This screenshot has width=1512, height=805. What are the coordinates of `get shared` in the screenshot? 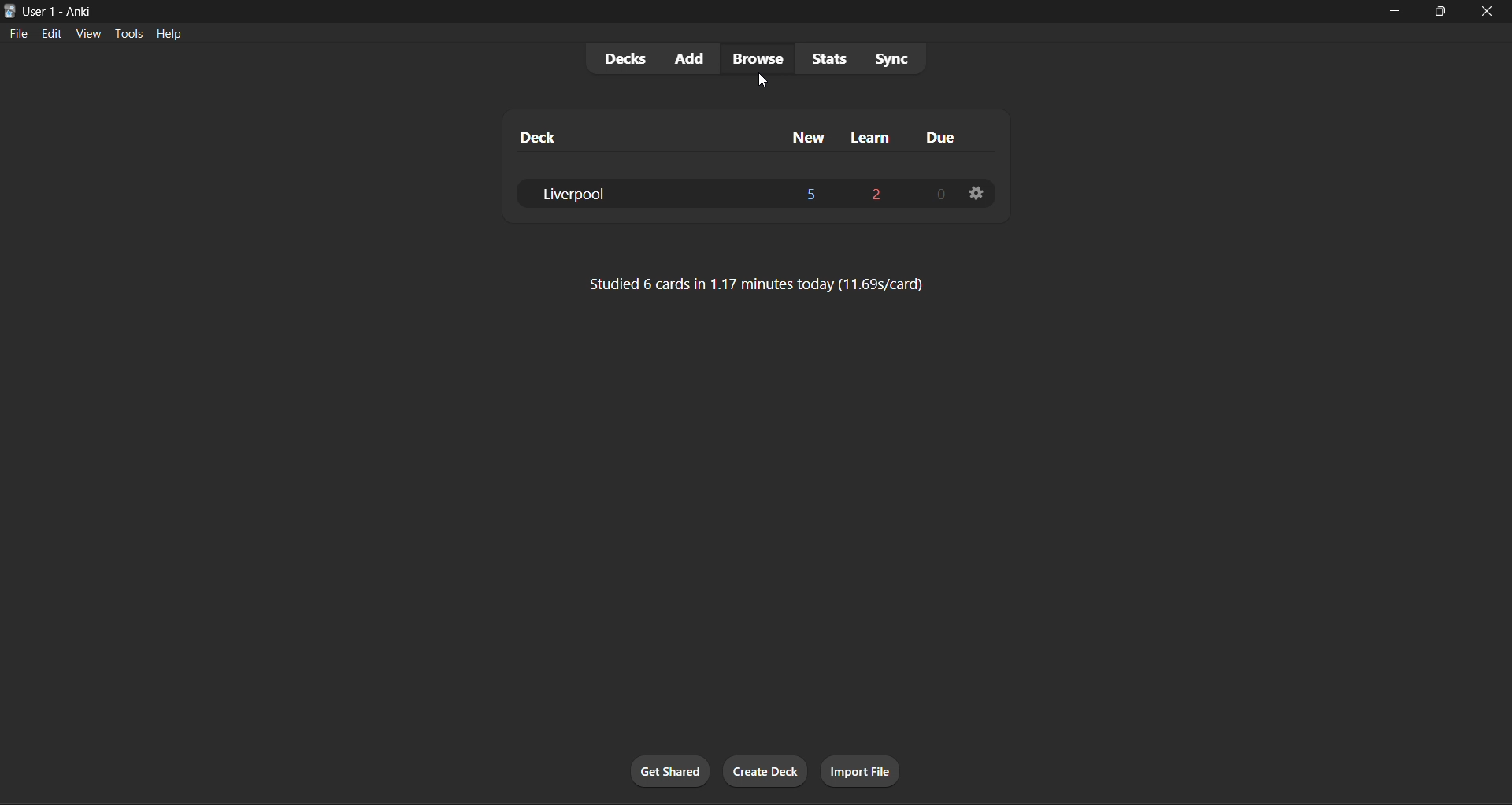 It's located at (673, 770).